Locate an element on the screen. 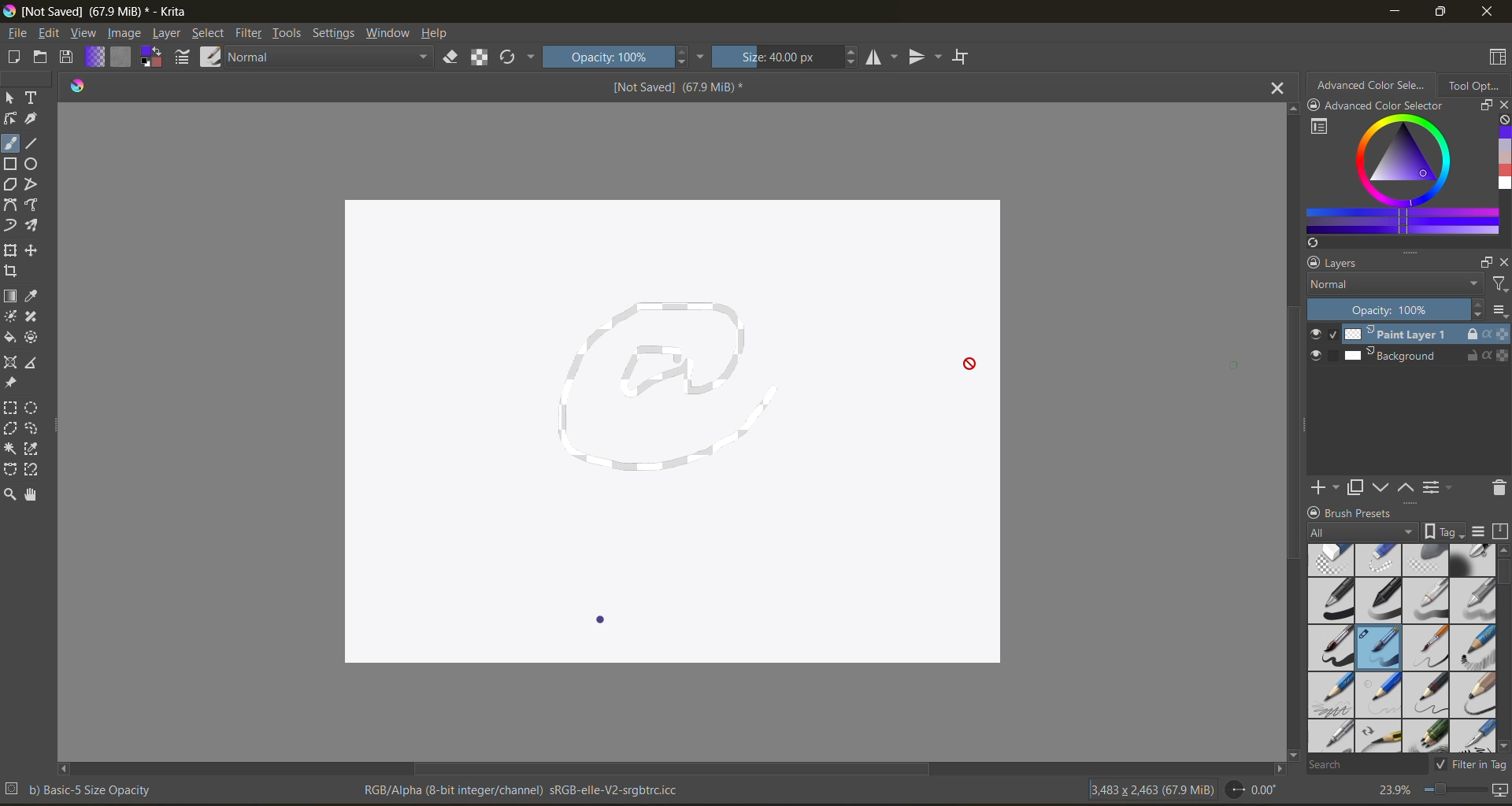  contiguous selection tool is located at coordinates (10, 449).